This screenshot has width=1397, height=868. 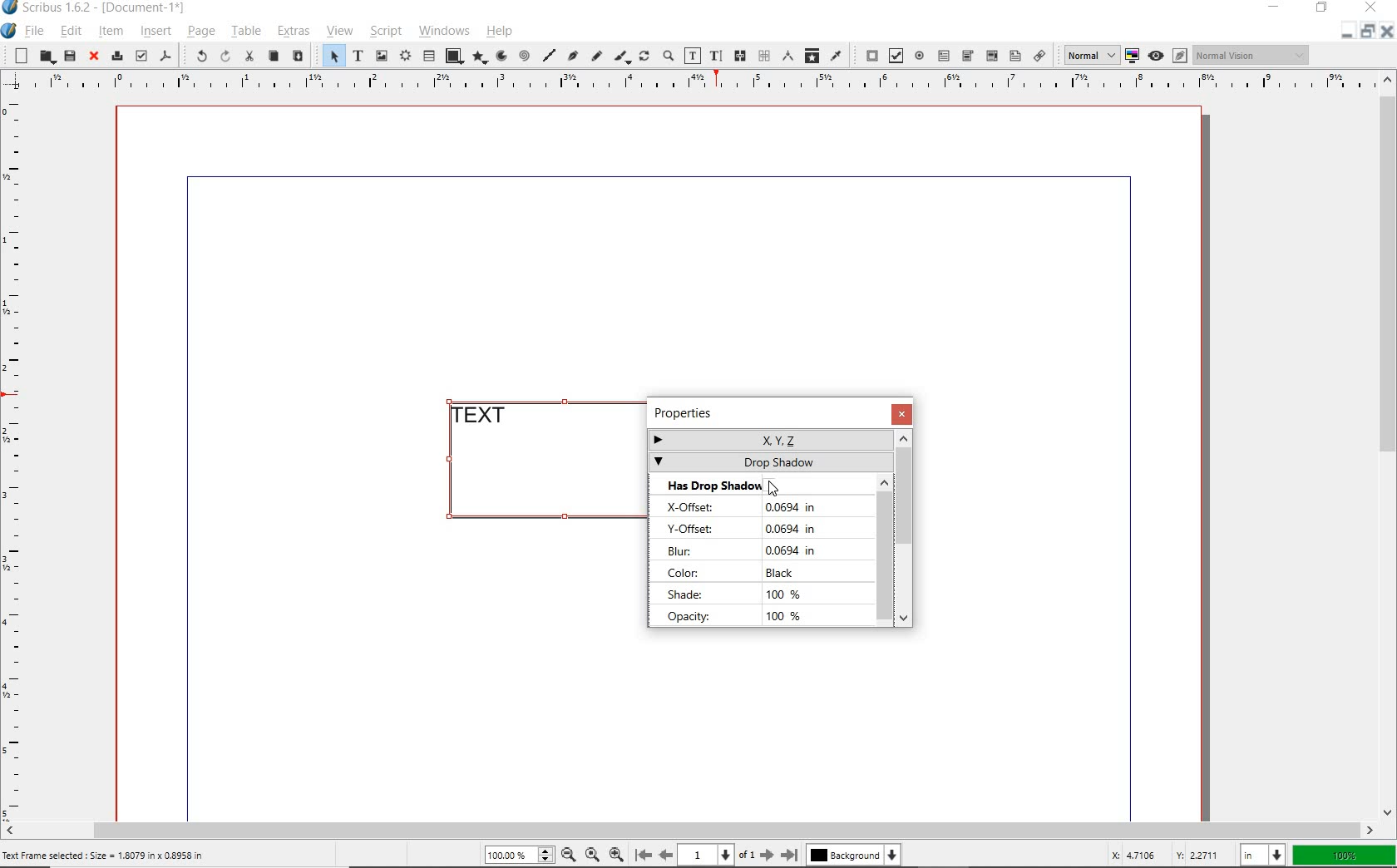 I want to click on shape, so click(x=453, y=55).